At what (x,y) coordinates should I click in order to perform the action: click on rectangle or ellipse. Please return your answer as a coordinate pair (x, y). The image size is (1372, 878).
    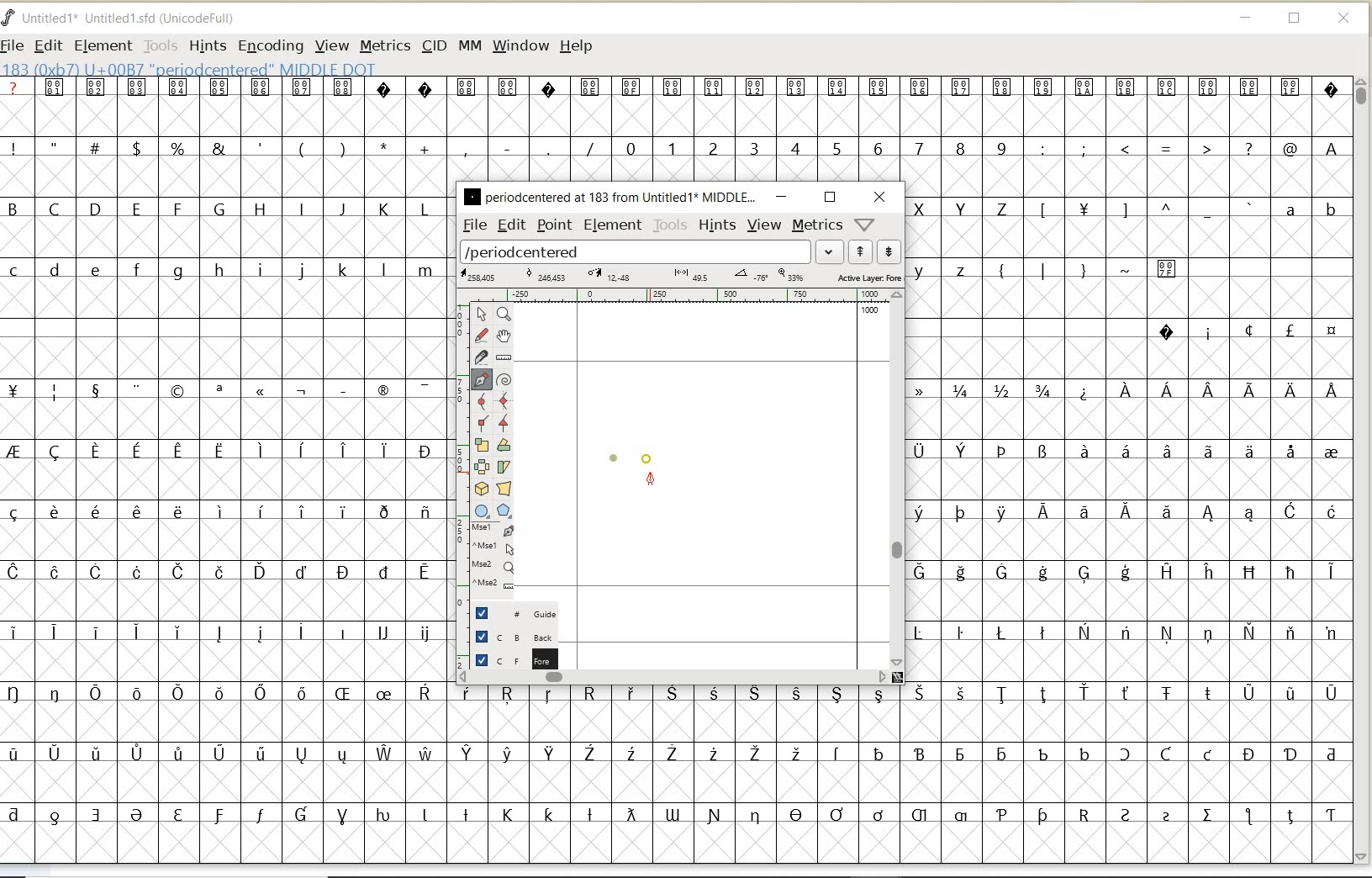
    Looking at the image, I should click on (482, 510).